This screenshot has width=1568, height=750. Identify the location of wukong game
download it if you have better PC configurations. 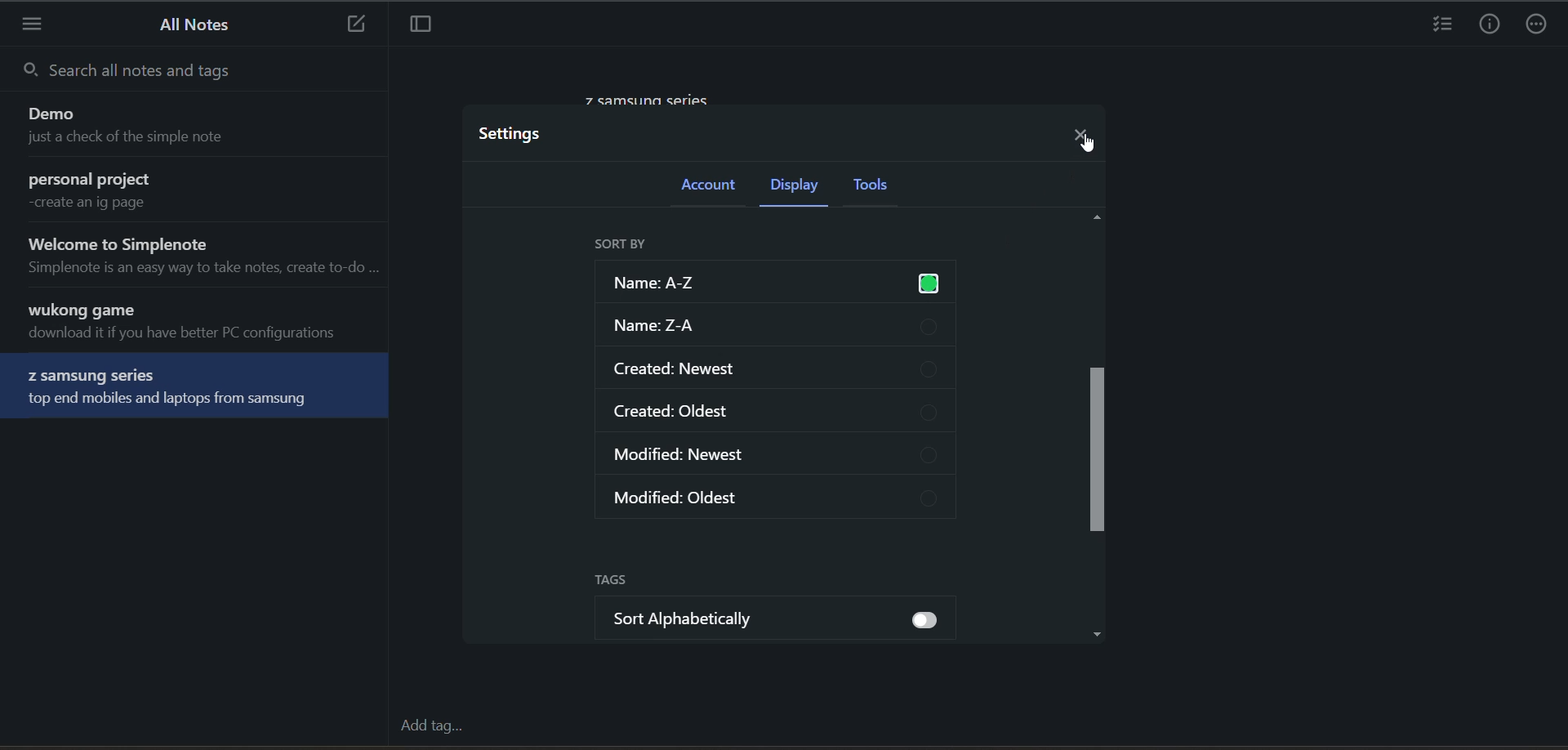
(203, 324).